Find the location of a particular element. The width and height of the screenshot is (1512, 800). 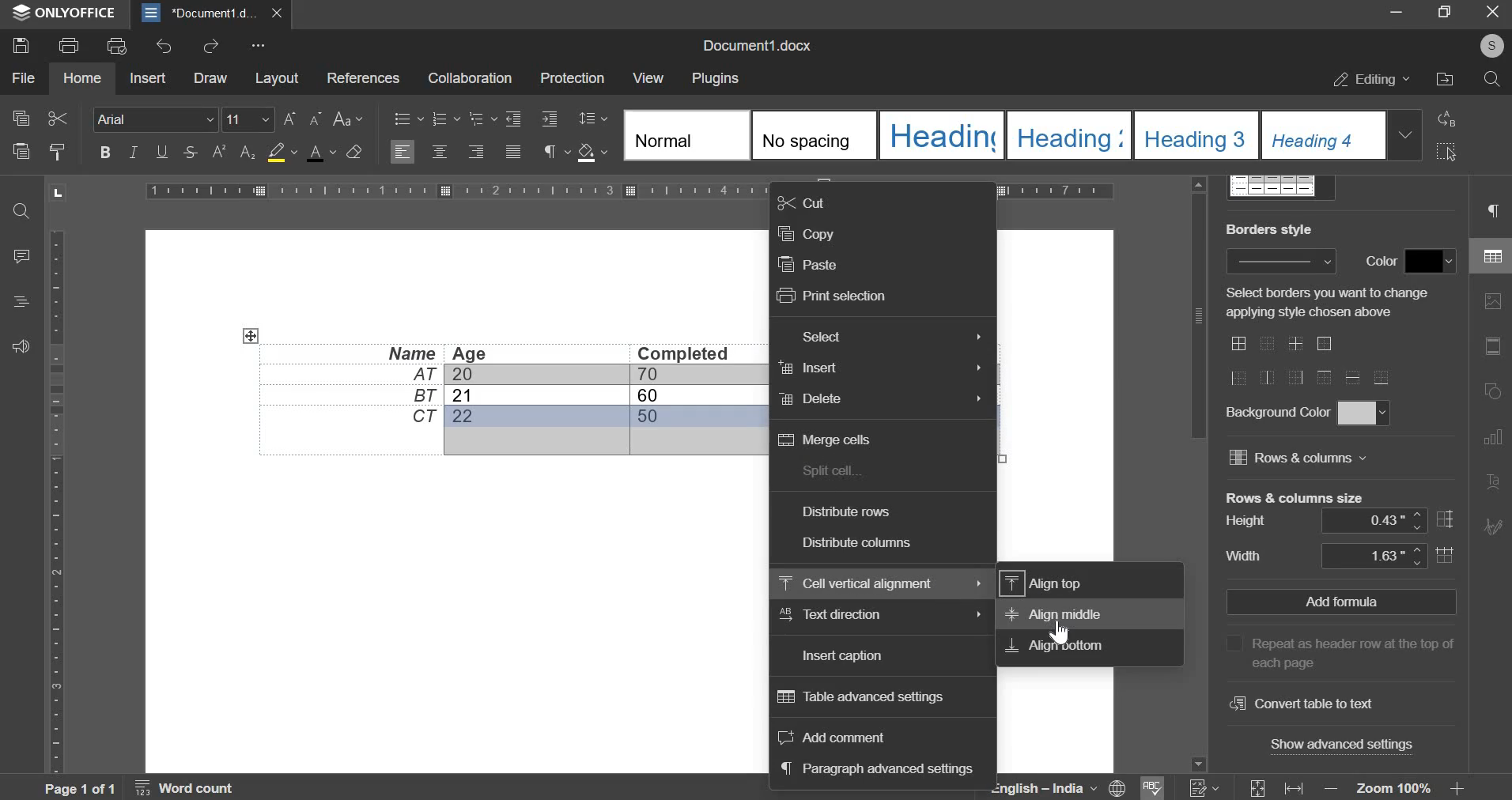

increase indent is located at coordinates (513, 118).